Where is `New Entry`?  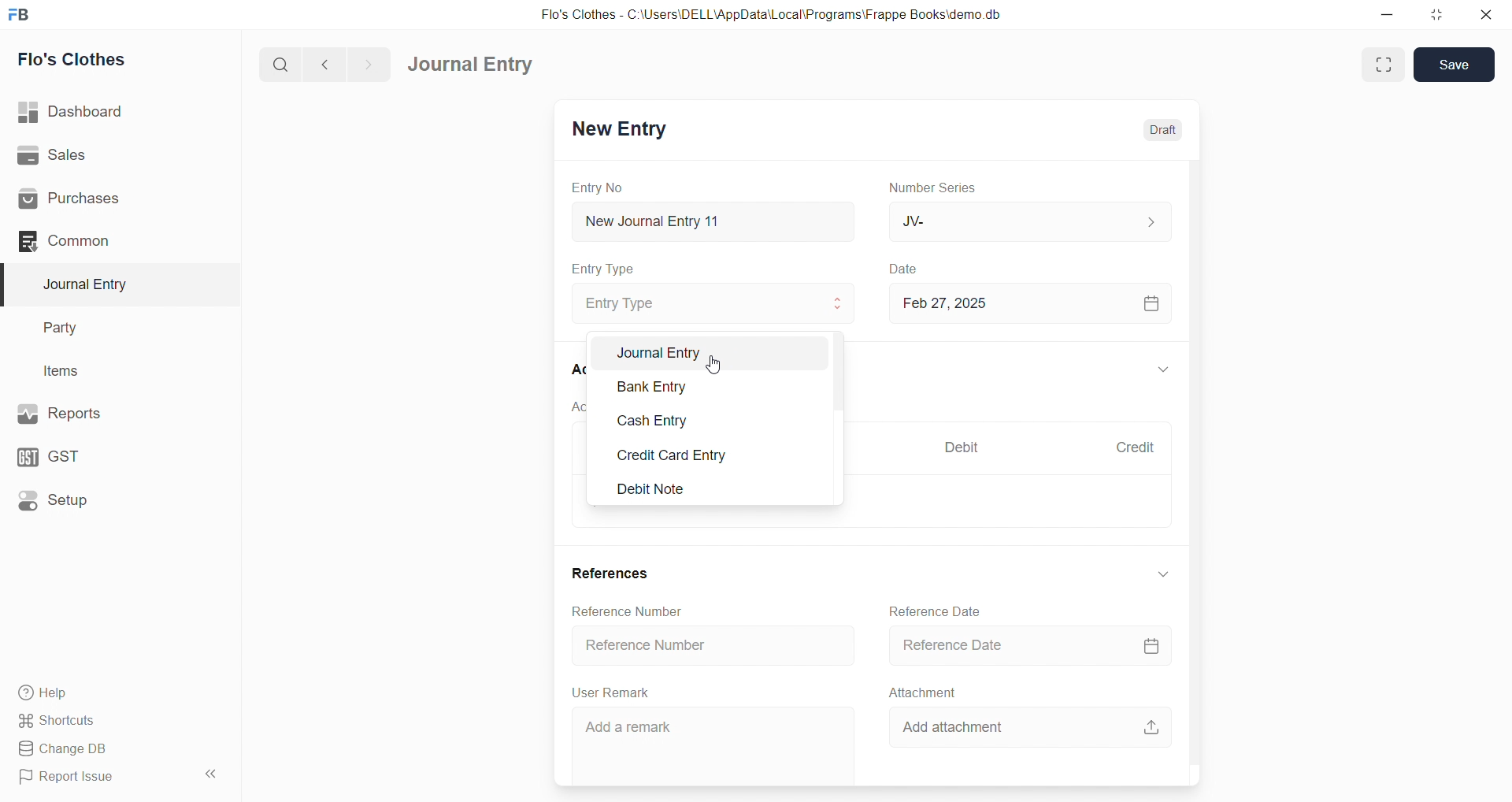
New Entry is located at coordinates (622, 130).